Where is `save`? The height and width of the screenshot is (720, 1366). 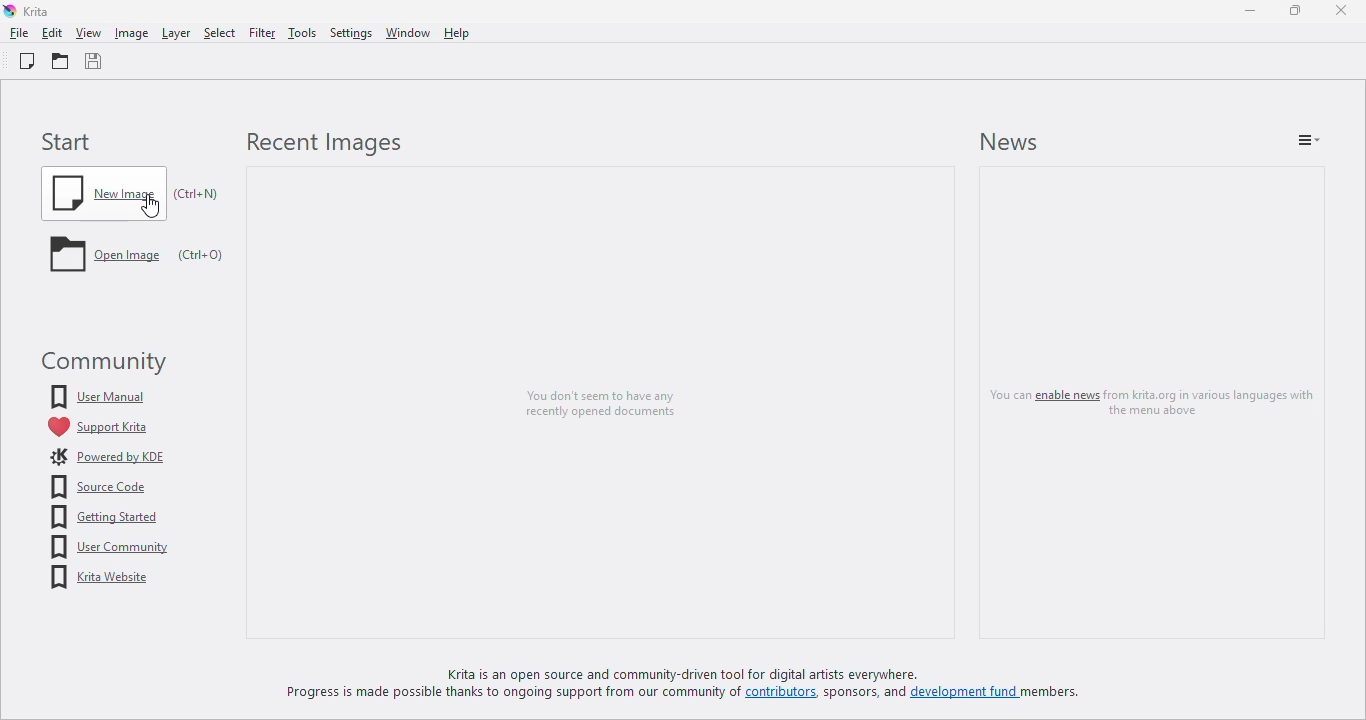
save is located at coordinates (94, 62).